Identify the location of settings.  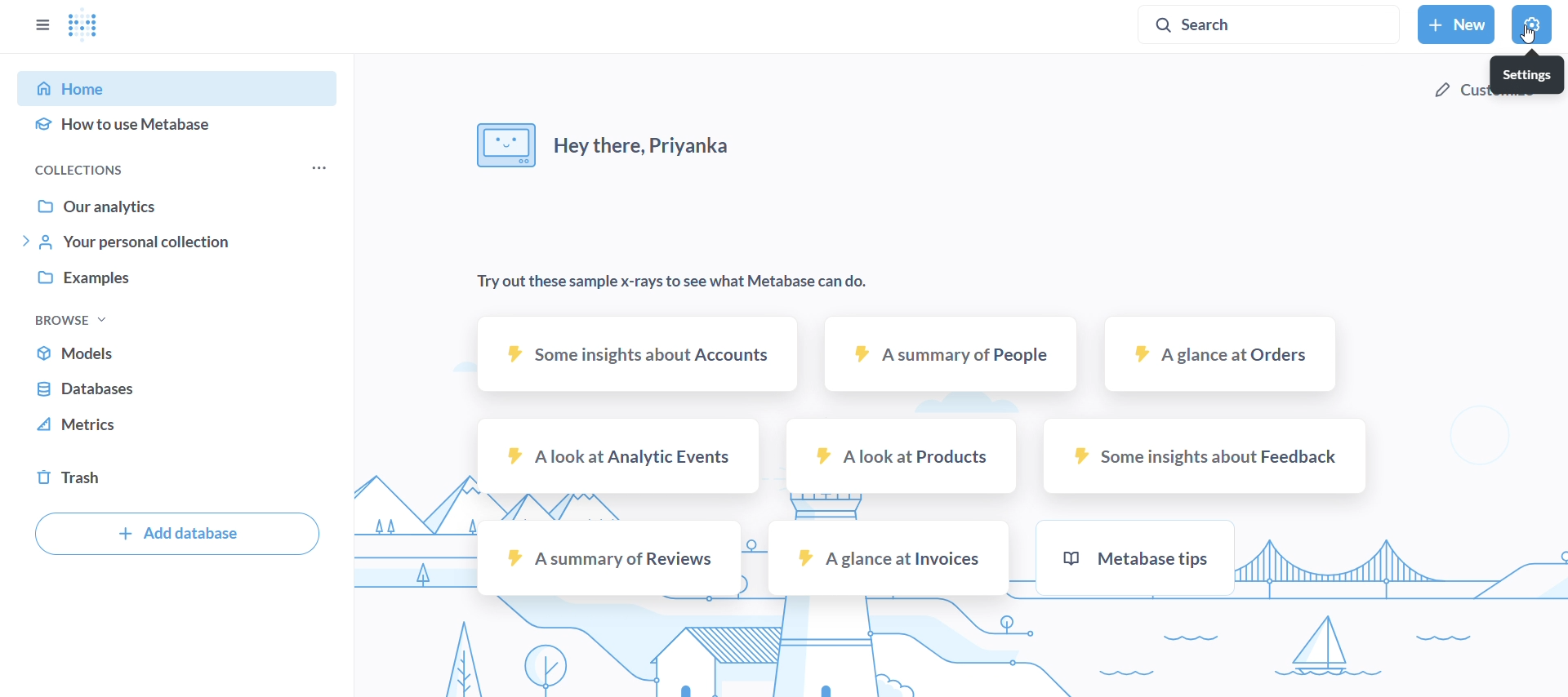
(1527, 75).